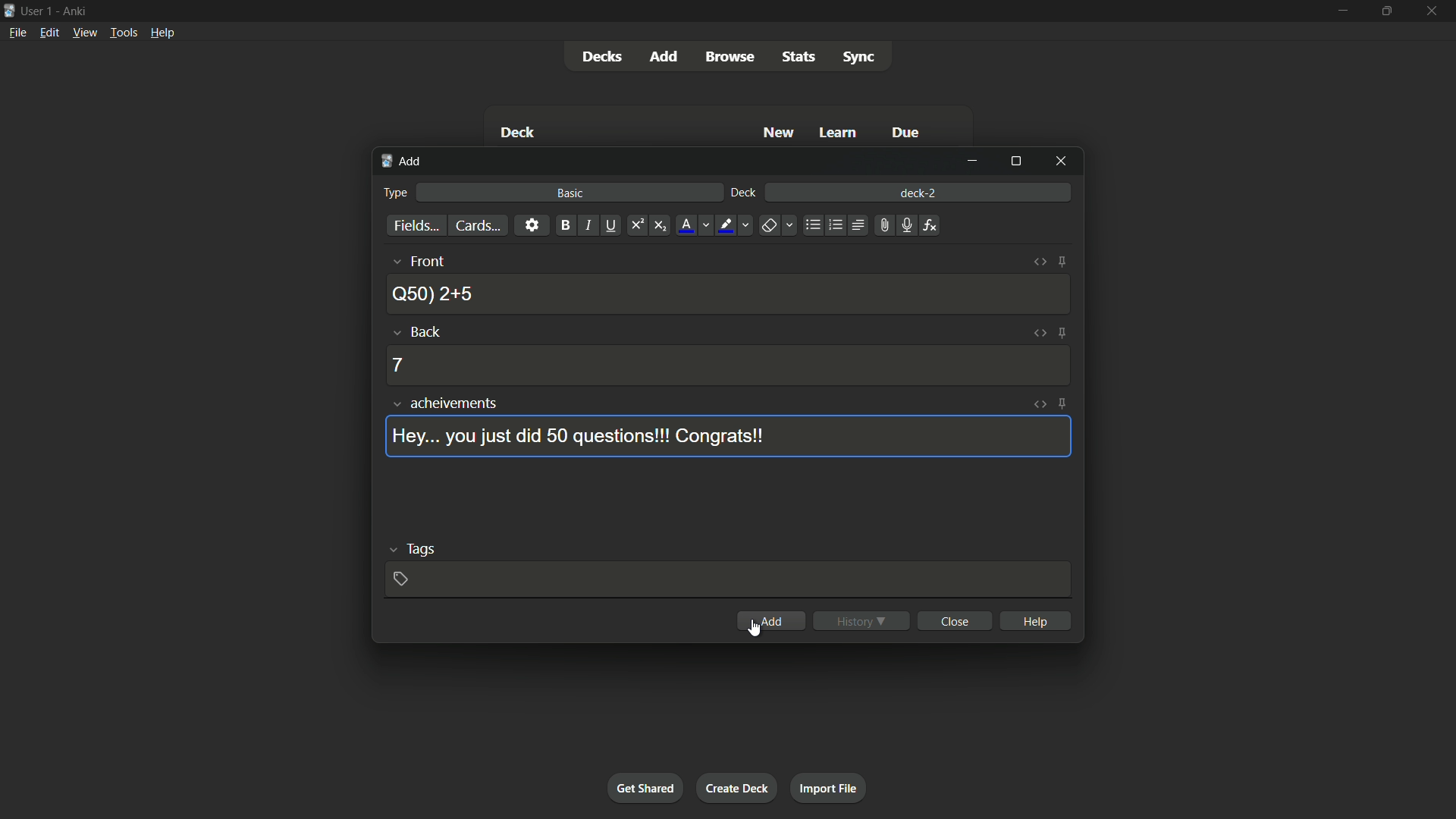  What do you see at coordinates (883, 226) in the screenshot?
I see `attach` at bounding box center [883, 226].